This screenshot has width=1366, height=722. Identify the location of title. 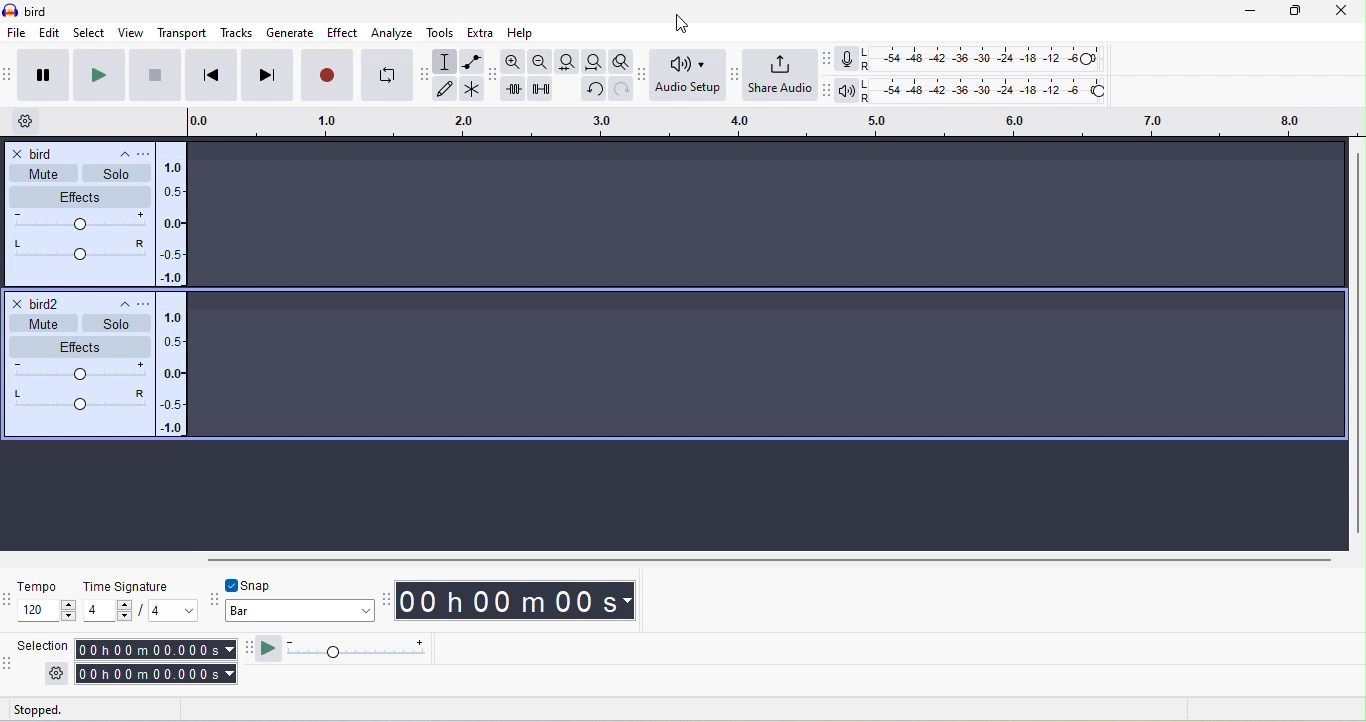
(40, 12).